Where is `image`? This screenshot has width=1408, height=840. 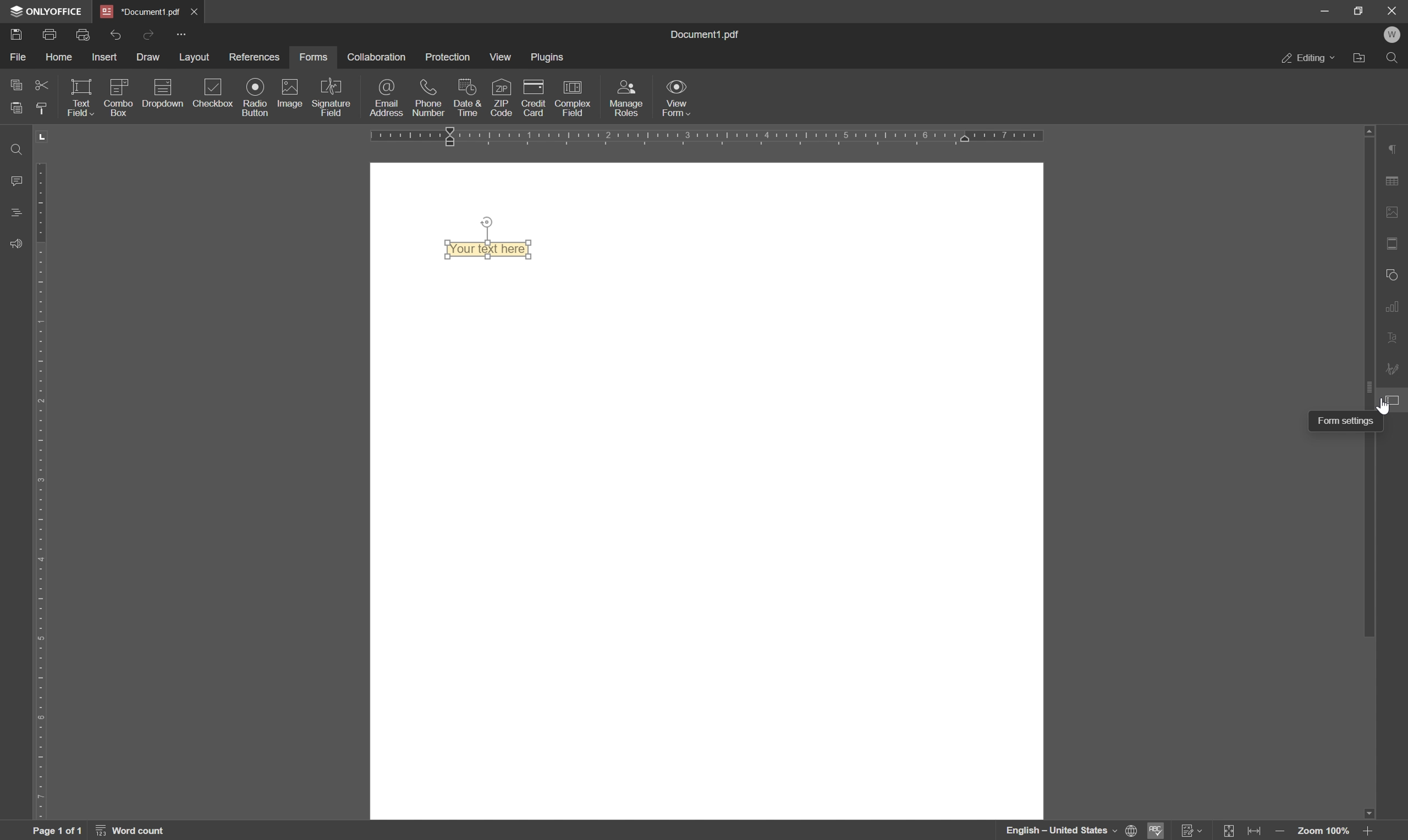 image is located at coordinates (289, 94).